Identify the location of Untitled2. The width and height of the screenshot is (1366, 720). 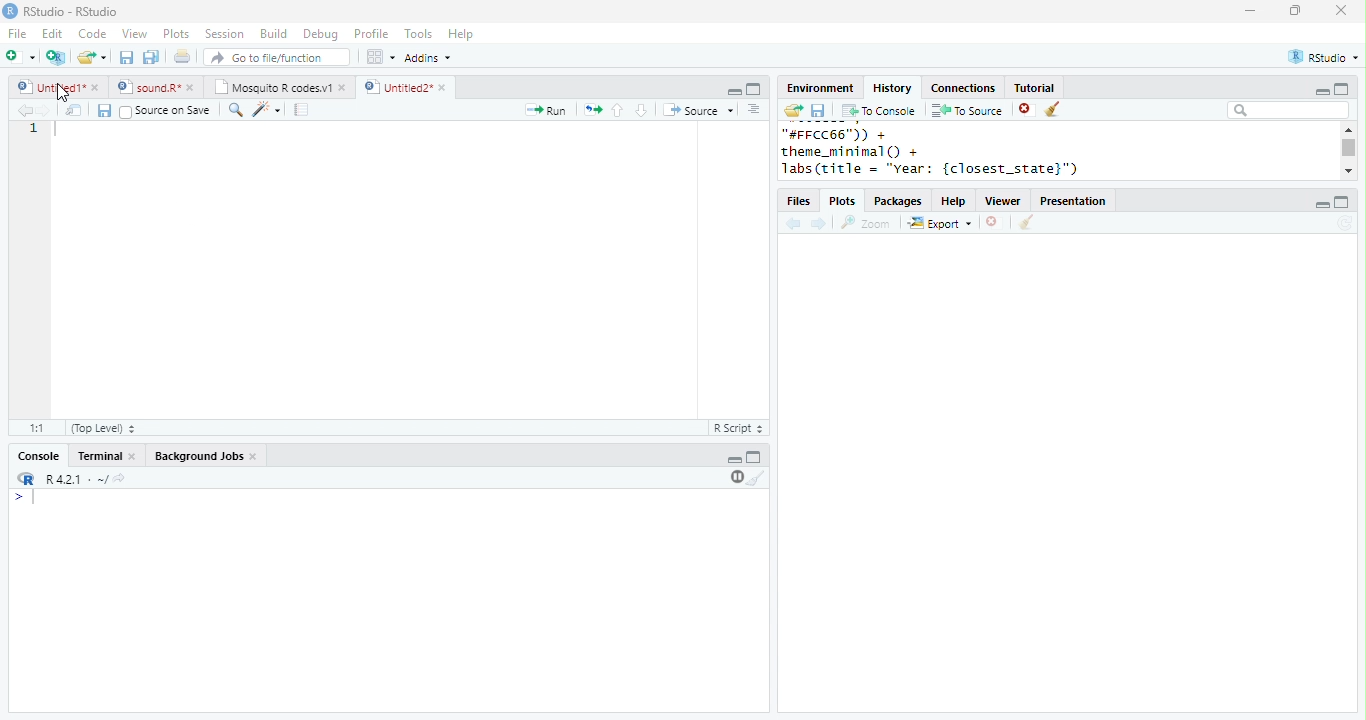
(396, 87).